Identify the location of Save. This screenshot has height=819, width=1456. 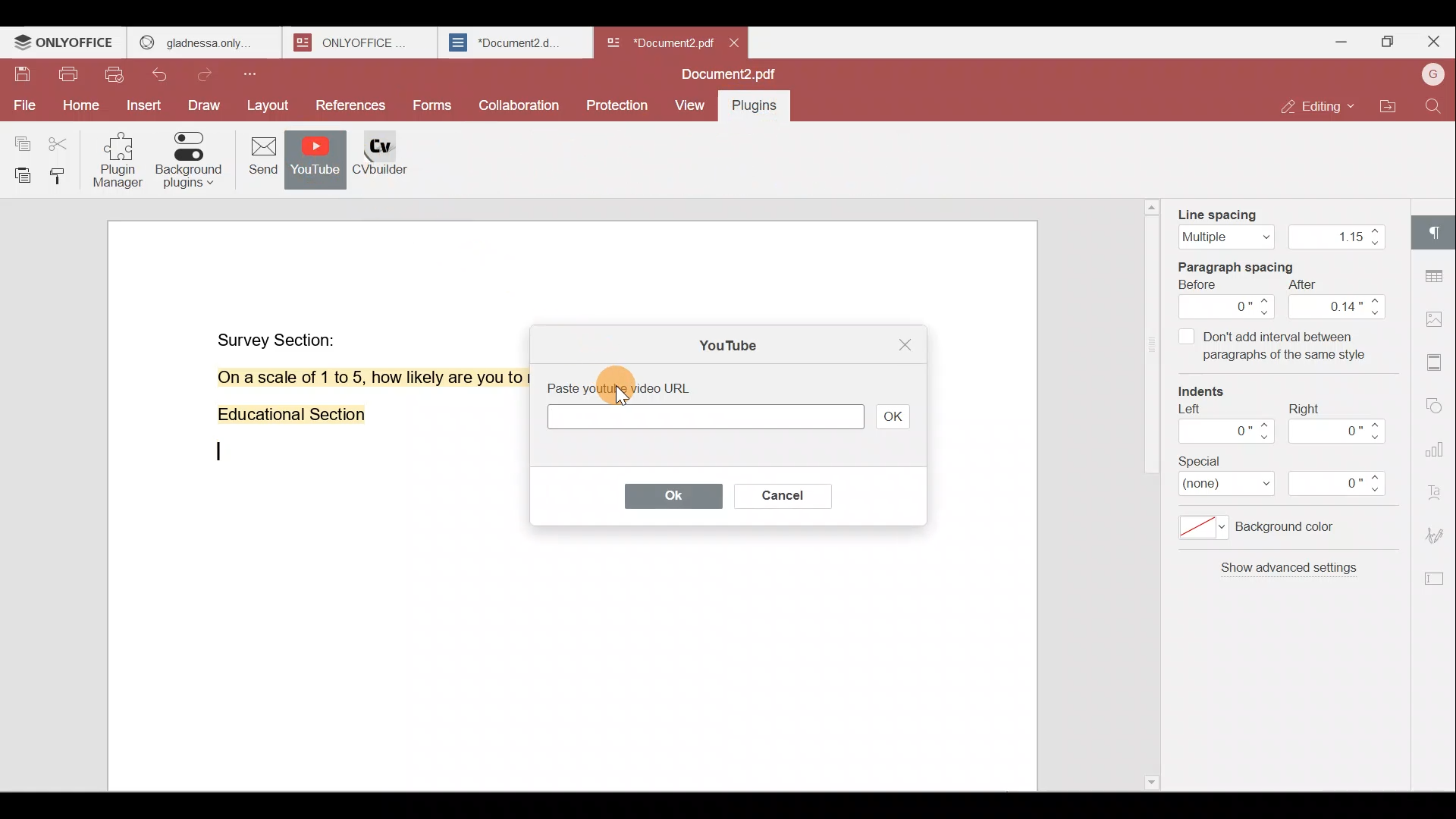
(22, 78).